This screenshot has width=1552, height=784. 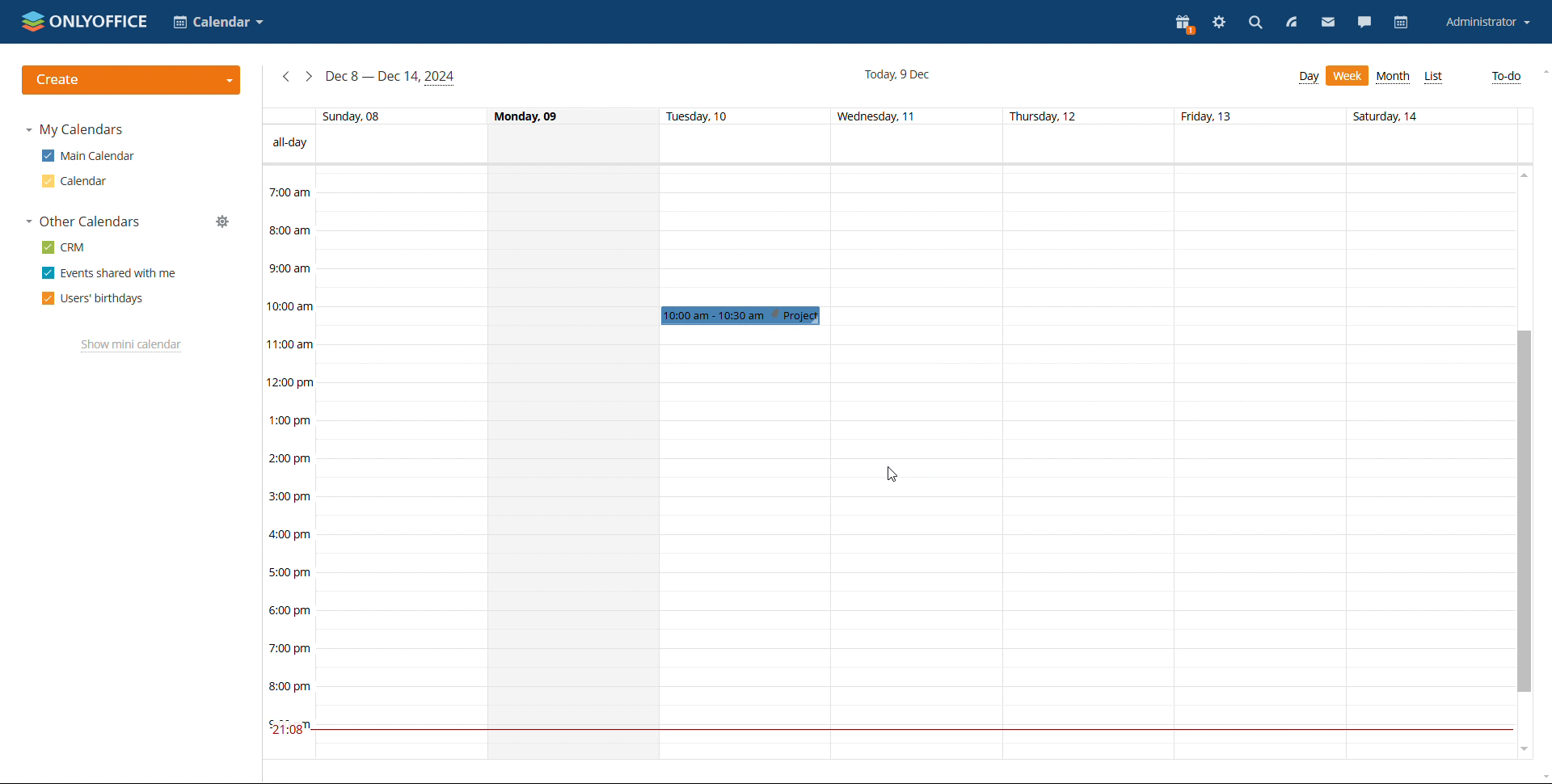 What do you see at coordinates (1327, 23) in the screenshot?
I see `mail` at bounding box center [1327, 23].